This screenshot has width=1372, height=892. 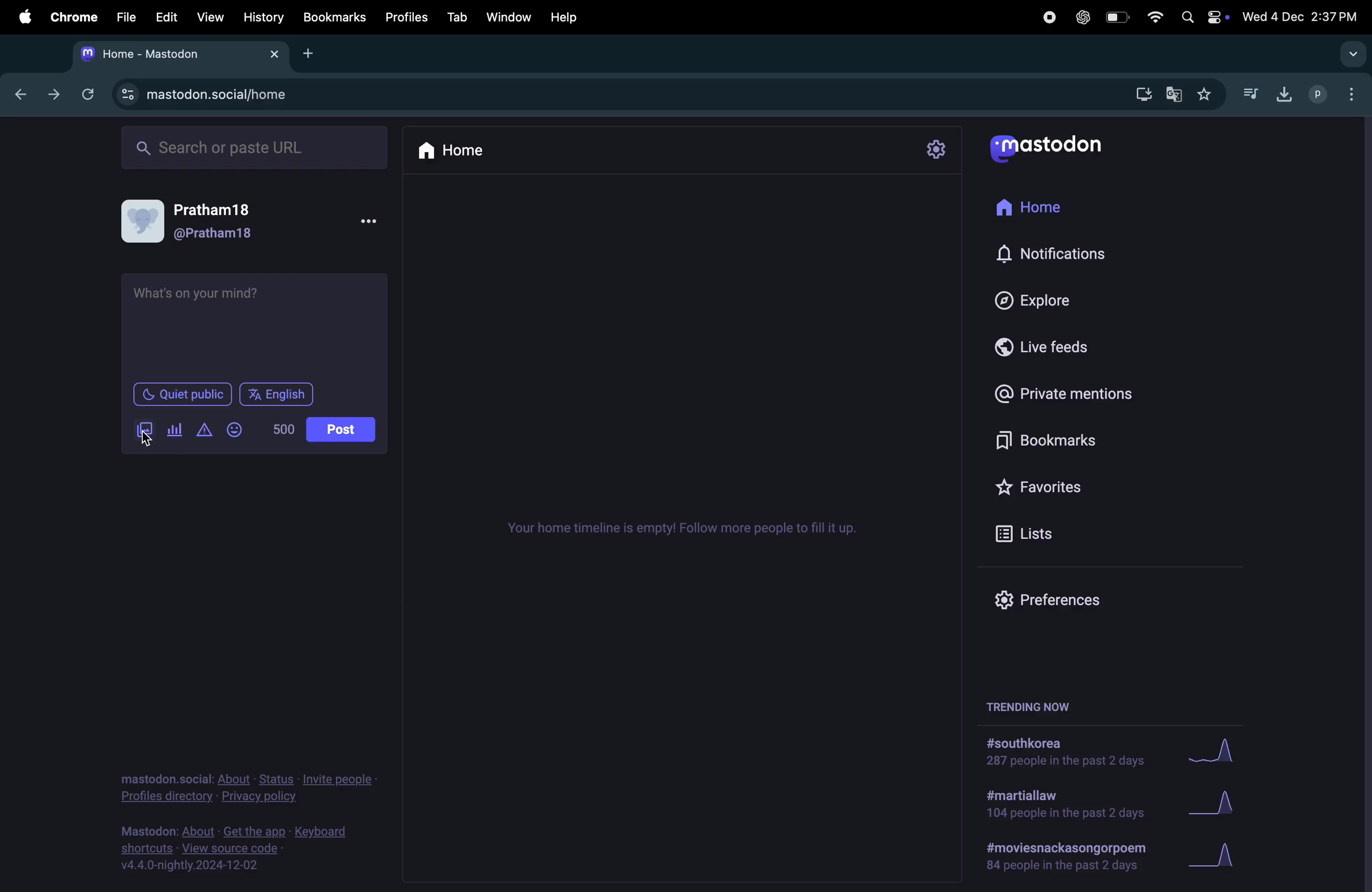 What do you see at coordinates (253, 326) in the screenshot?
I see `text box` at bounding box center [253, 326].